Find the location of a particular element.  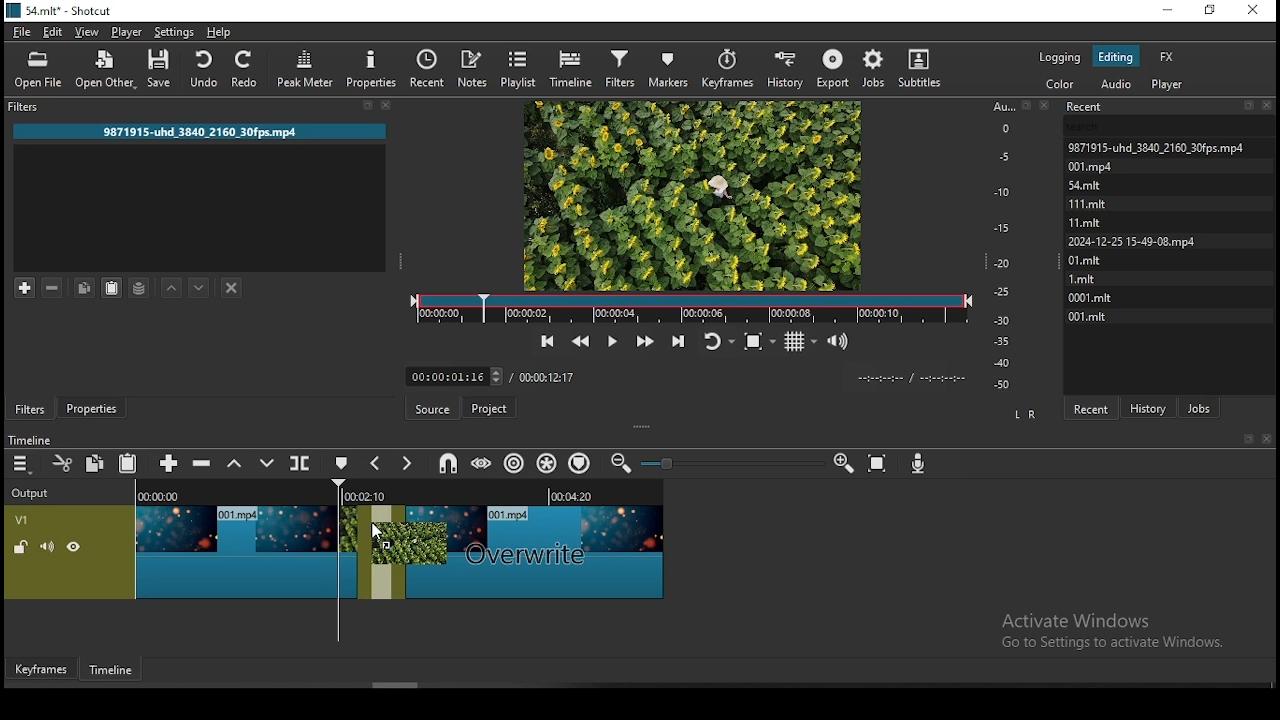

add filter is located at coordinates (25, 287).